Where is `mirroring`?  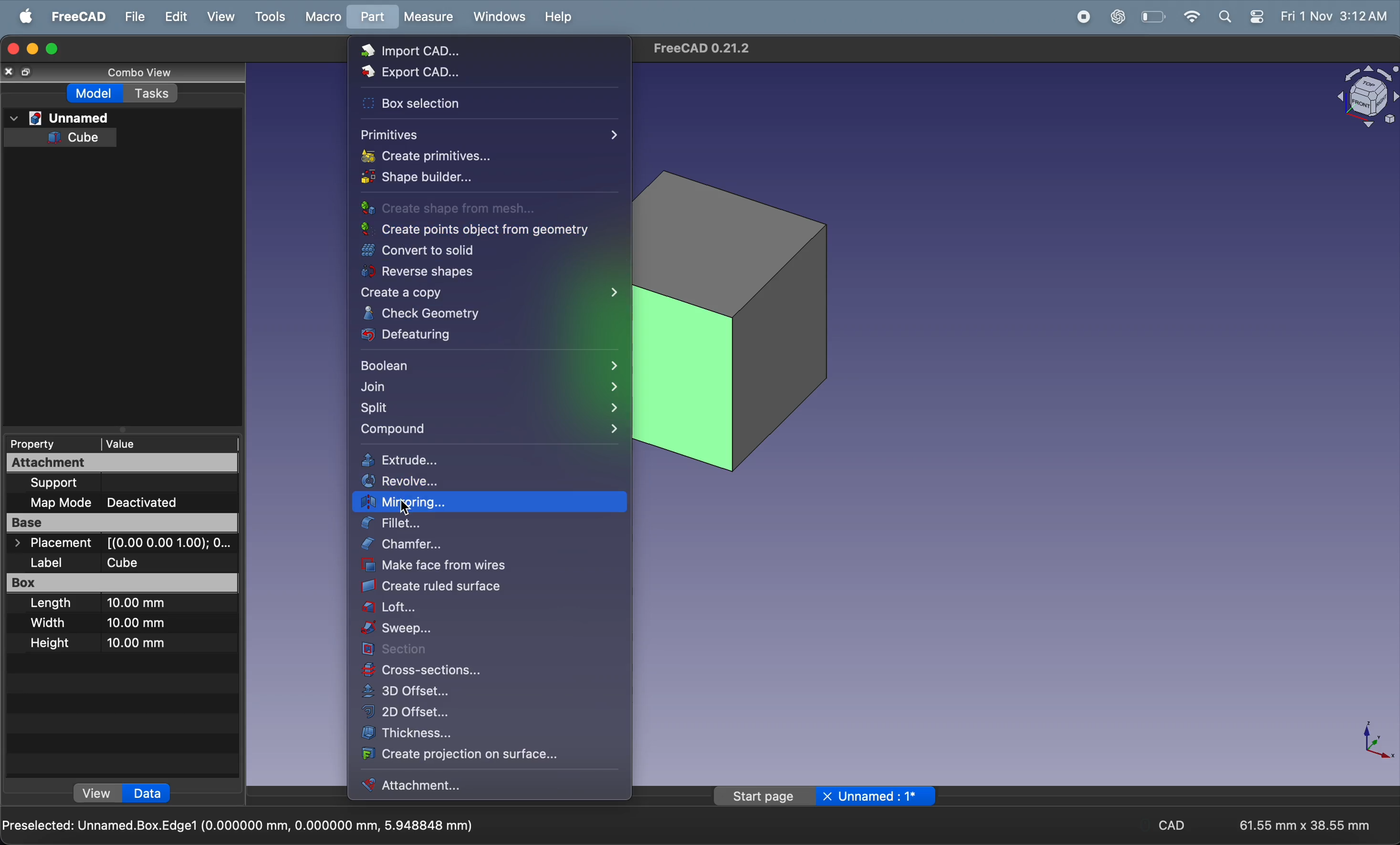 mirroring is located at coordinates (479, 503).